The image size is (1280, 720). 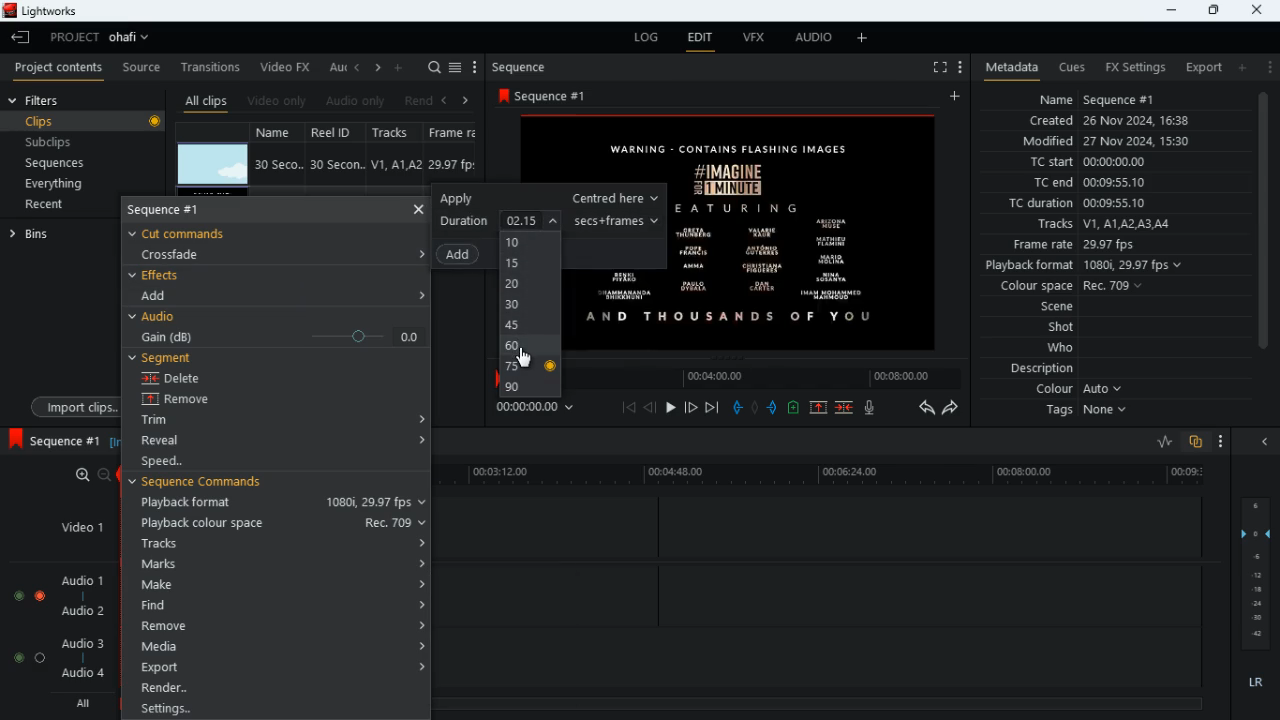 What do you see at coordinates (958, 97) in the screenshot?
I see `add` at bounding box center [958, 97].